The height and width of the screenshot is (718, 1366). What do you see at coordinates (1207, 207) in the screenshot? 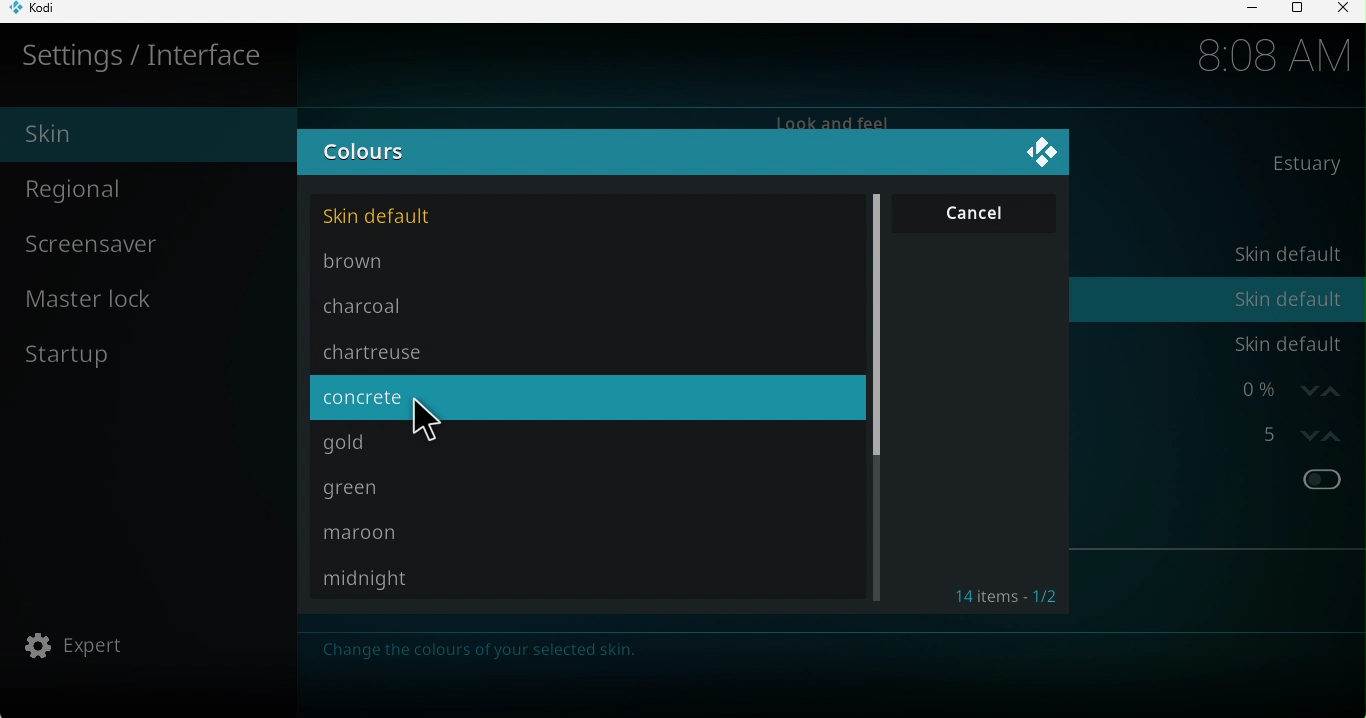
I see `Configure skin` at bounding box center [1207, 207].